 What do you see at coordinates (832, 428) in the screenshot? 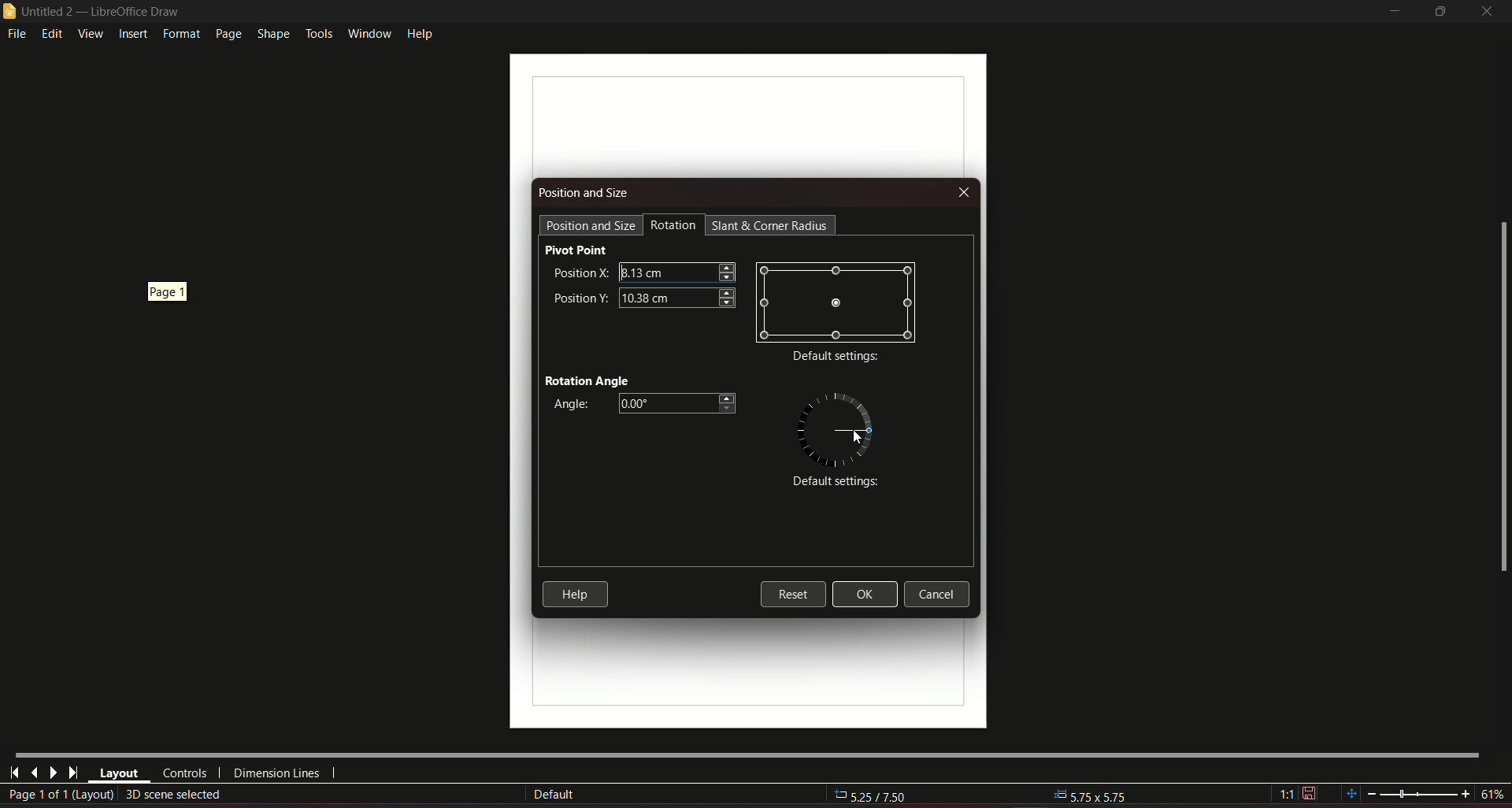
I see `graphics` at bounding box center [832, 428].